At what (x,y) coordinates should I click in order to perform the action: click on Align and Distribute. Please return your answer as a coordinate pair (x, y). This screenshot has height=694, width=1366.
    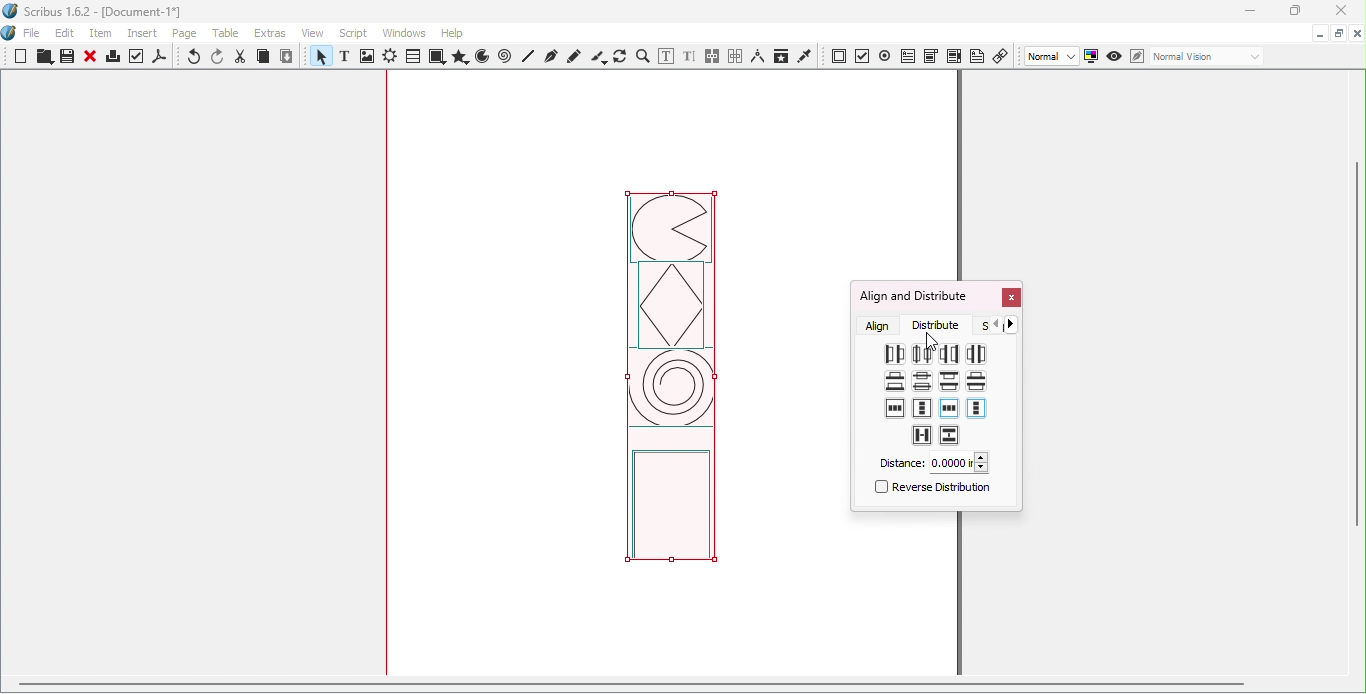
    Looking at the image, I should click on (913, 296).